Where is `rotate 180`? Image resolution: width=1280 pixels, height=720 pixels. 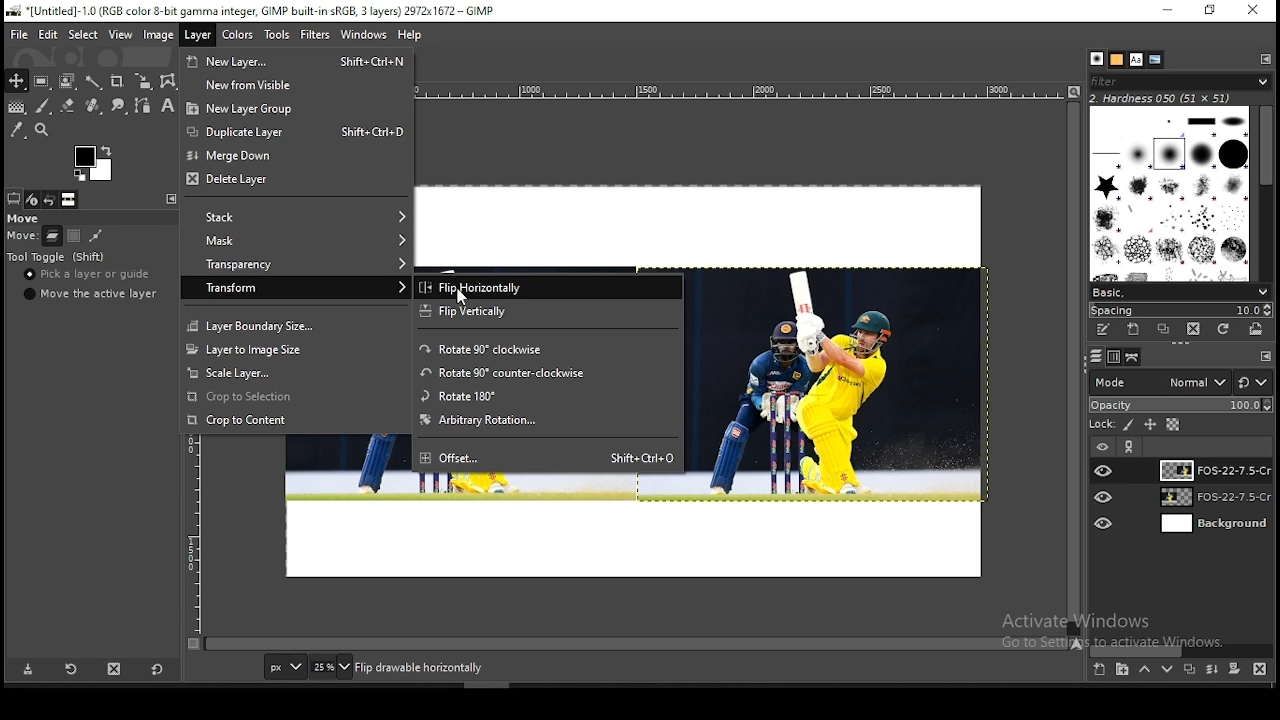 rotate 180 is located at coordinates (547, 396).